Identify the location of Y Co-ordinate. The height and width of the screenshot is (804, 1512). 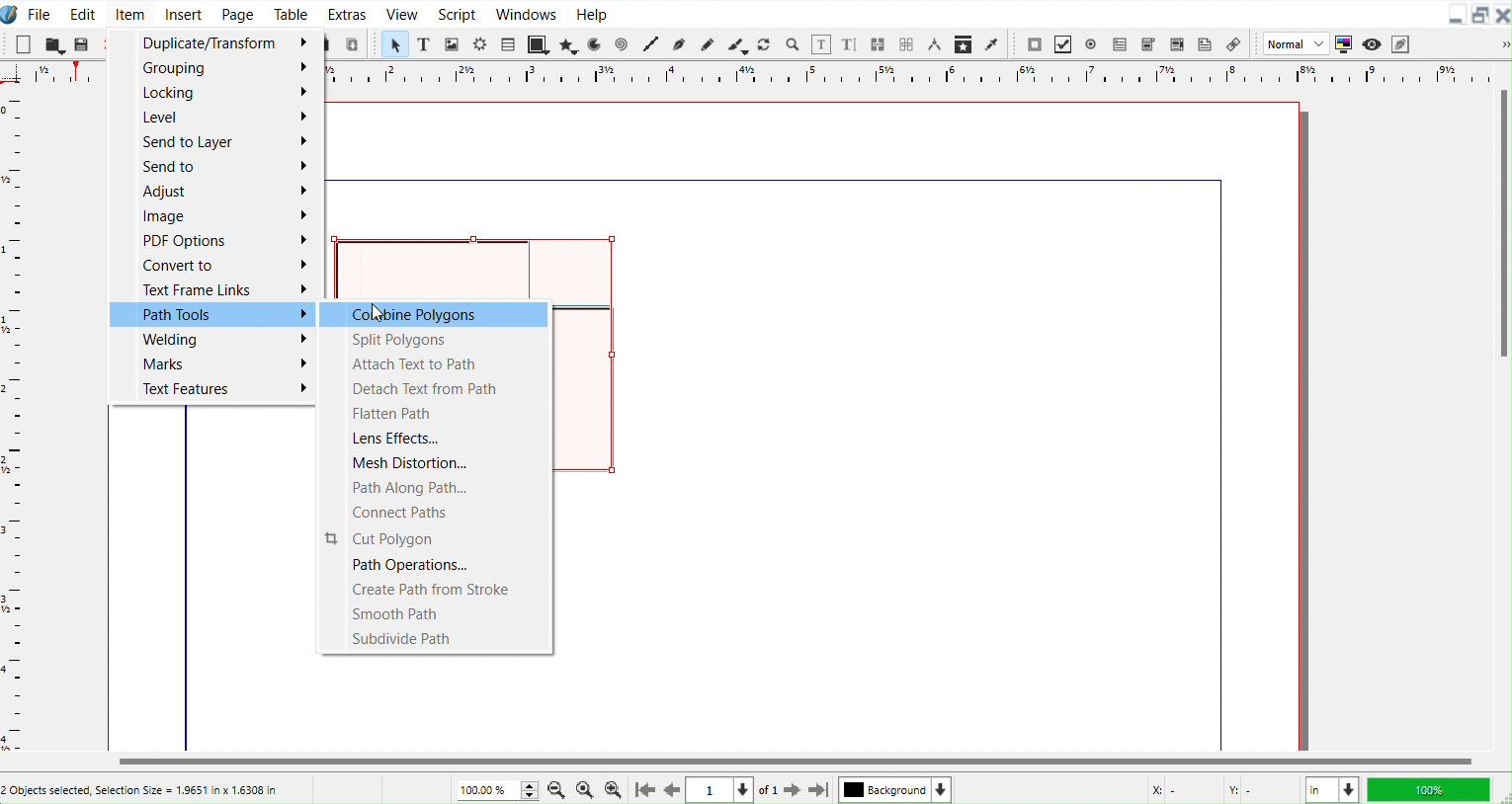
(1260, 791).